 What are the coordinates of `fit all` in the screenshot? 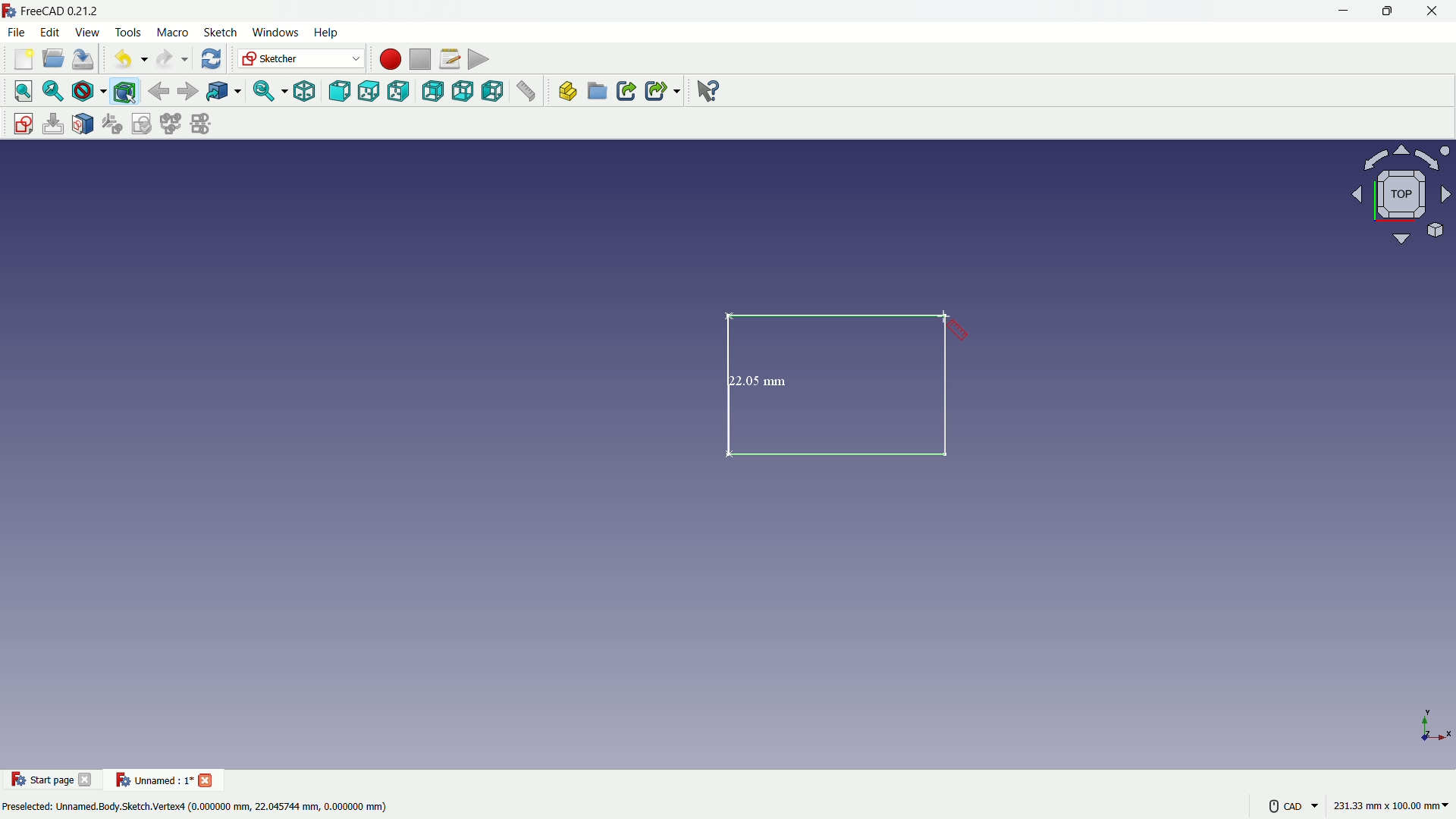 It's located at (20, 91).